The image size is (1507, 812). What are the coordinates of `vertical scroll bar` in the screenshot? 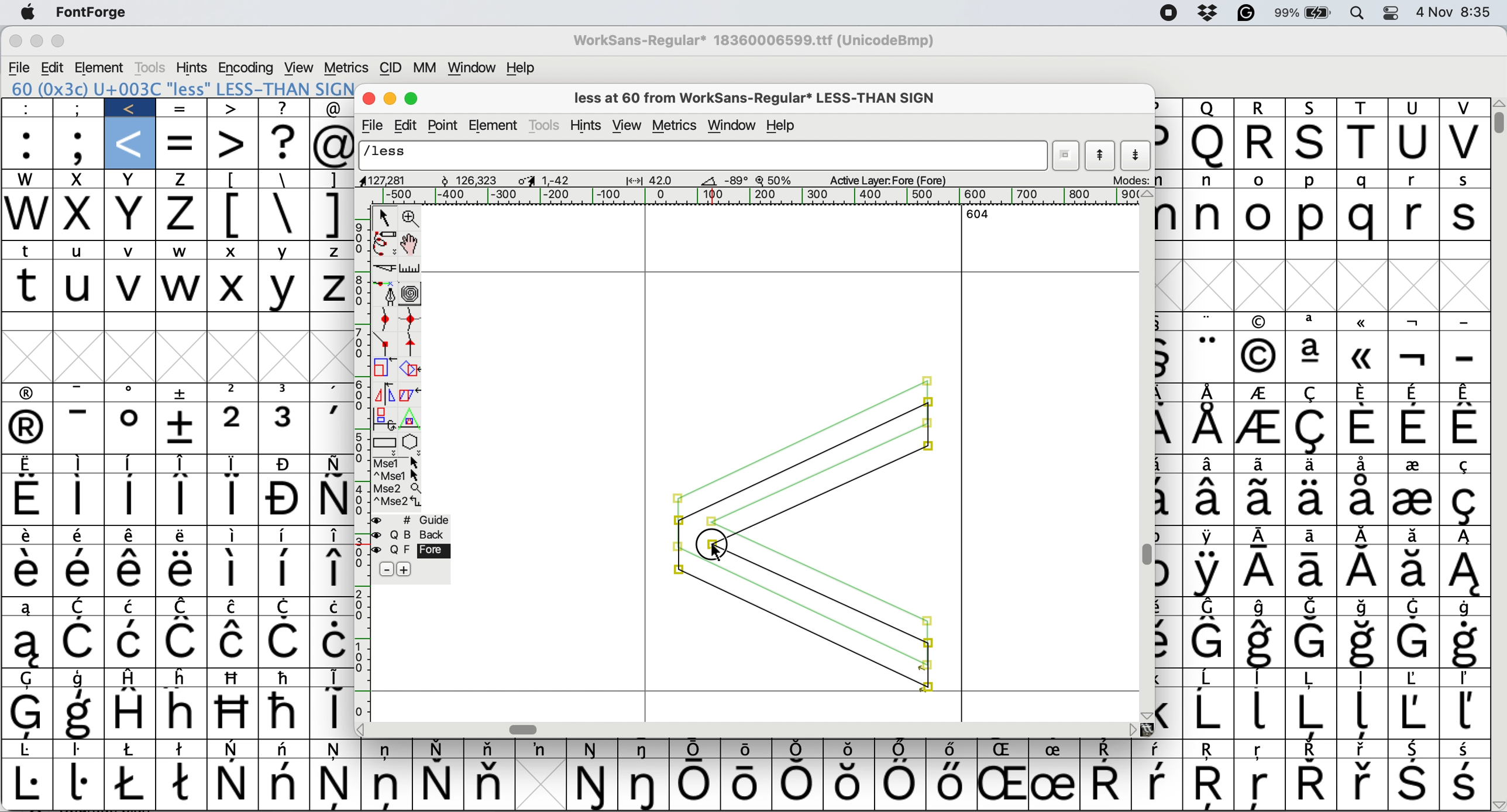 It's located at (1145, 455).